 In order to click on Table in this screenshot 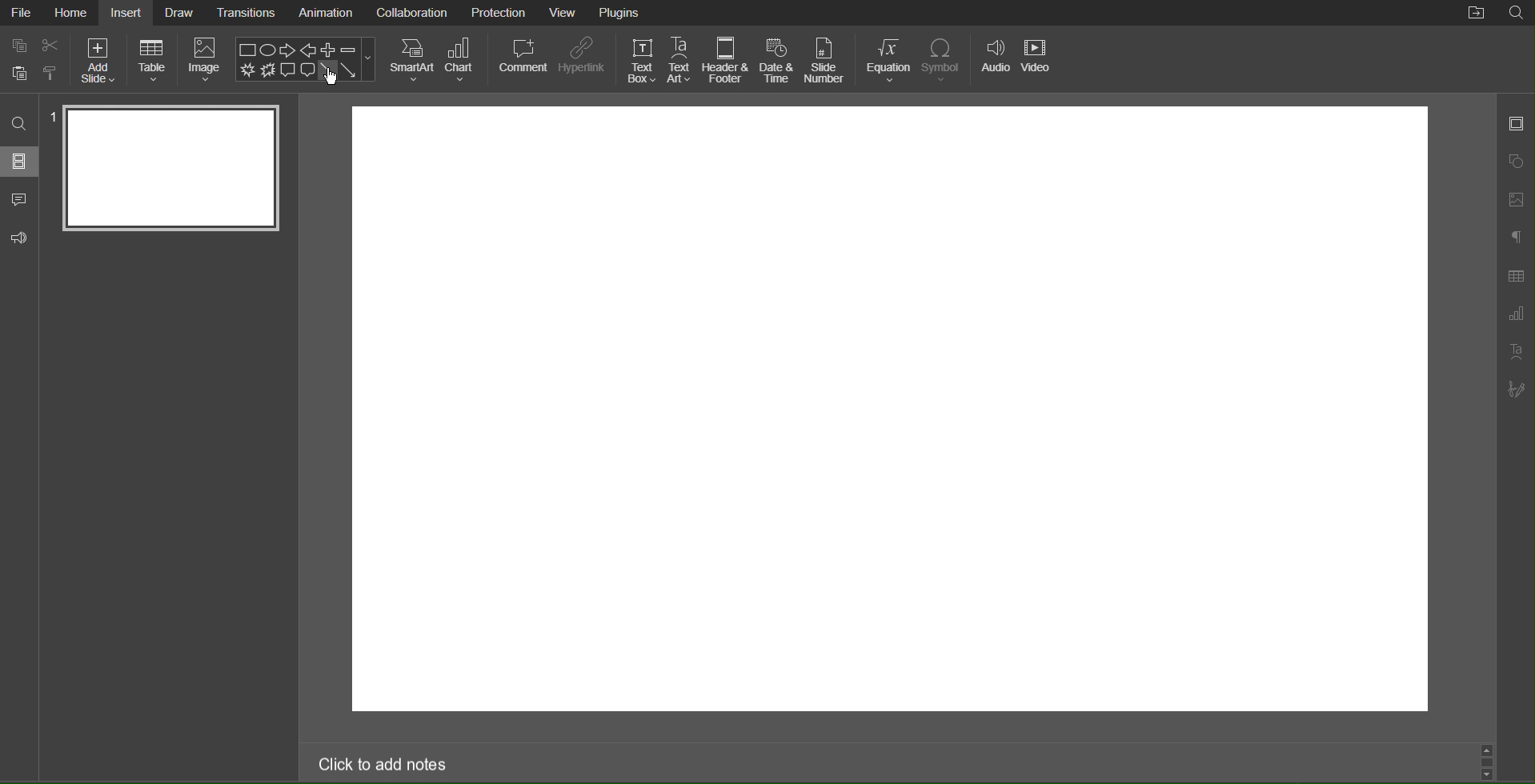, I will do `click(151, 62)`.